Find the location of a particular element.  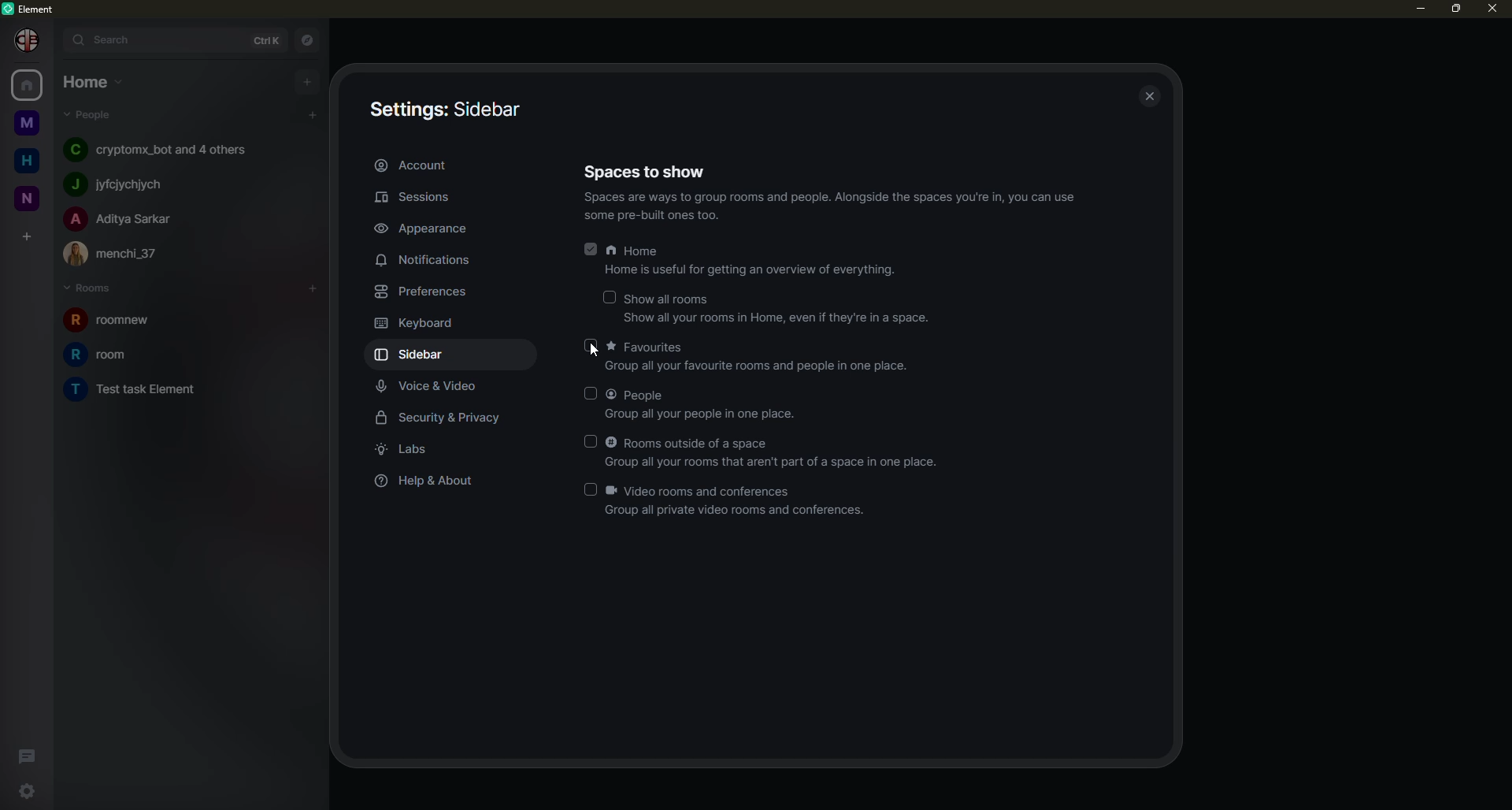

 is located at coordinates (28, 41).